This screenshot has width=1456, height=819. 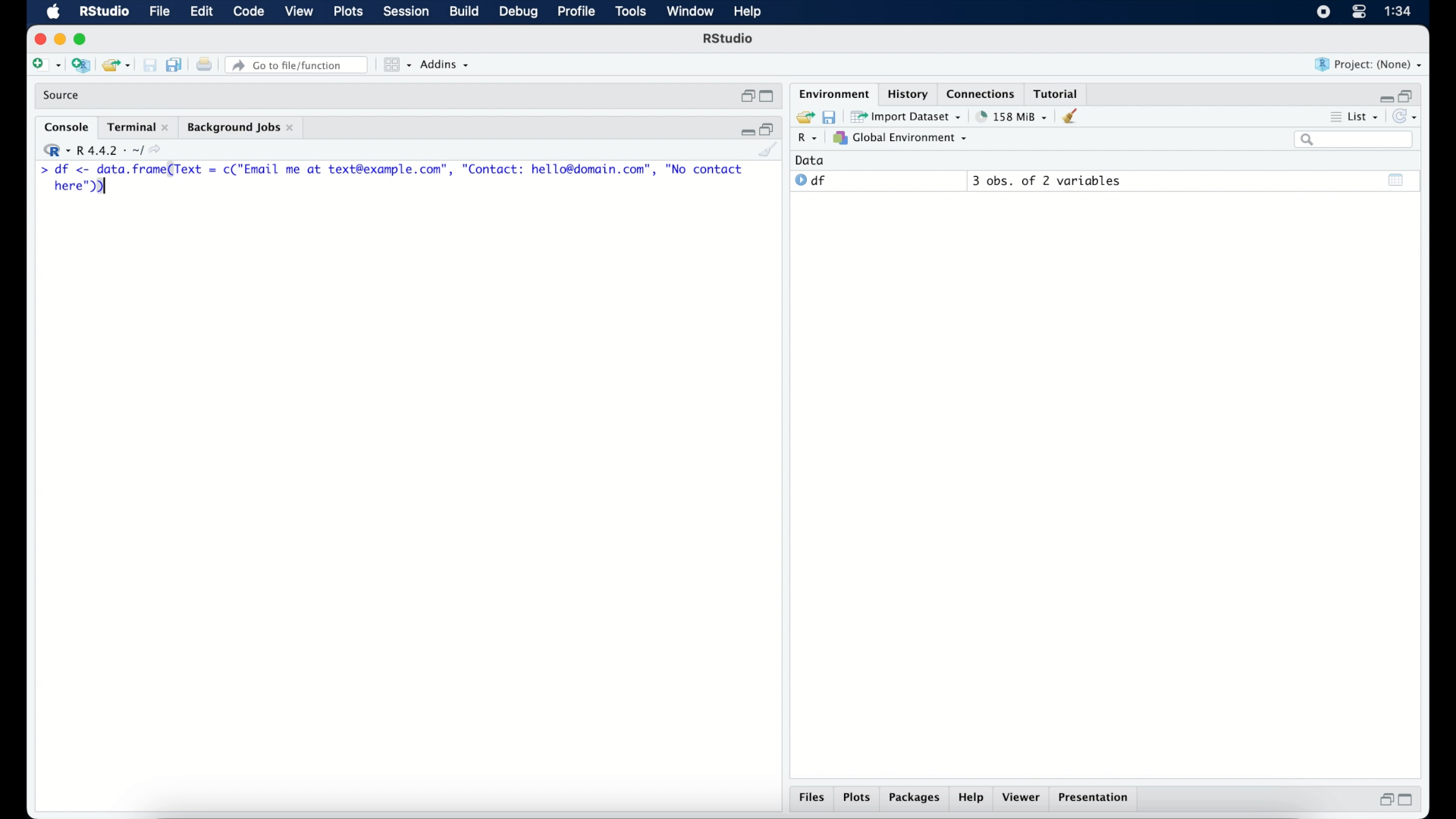 I want to click on background jobs, so click(x=243, y=128).